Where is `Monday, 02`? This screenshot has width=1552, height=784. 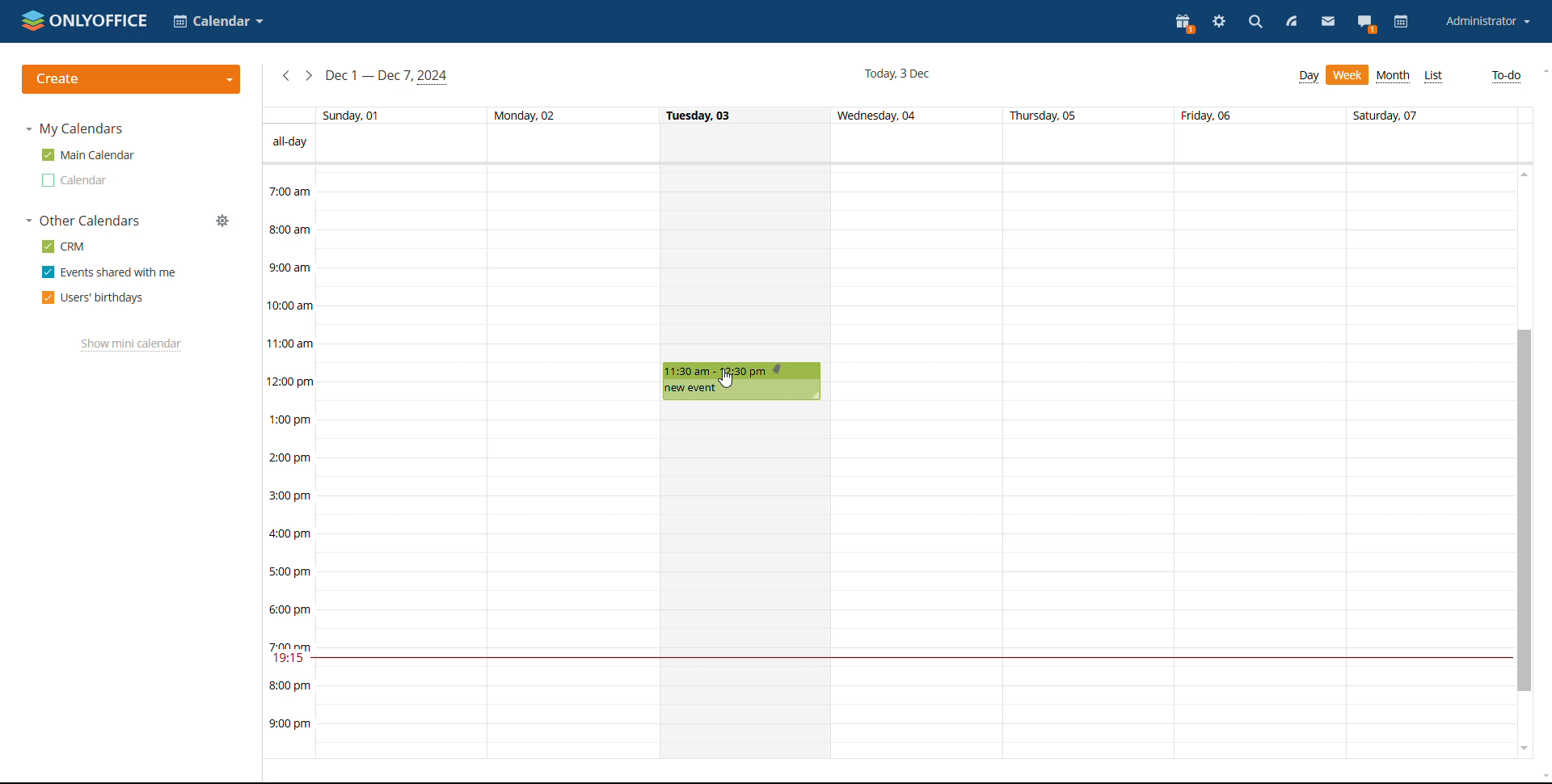 Monday, 02 is located at coordinates (524, 114).